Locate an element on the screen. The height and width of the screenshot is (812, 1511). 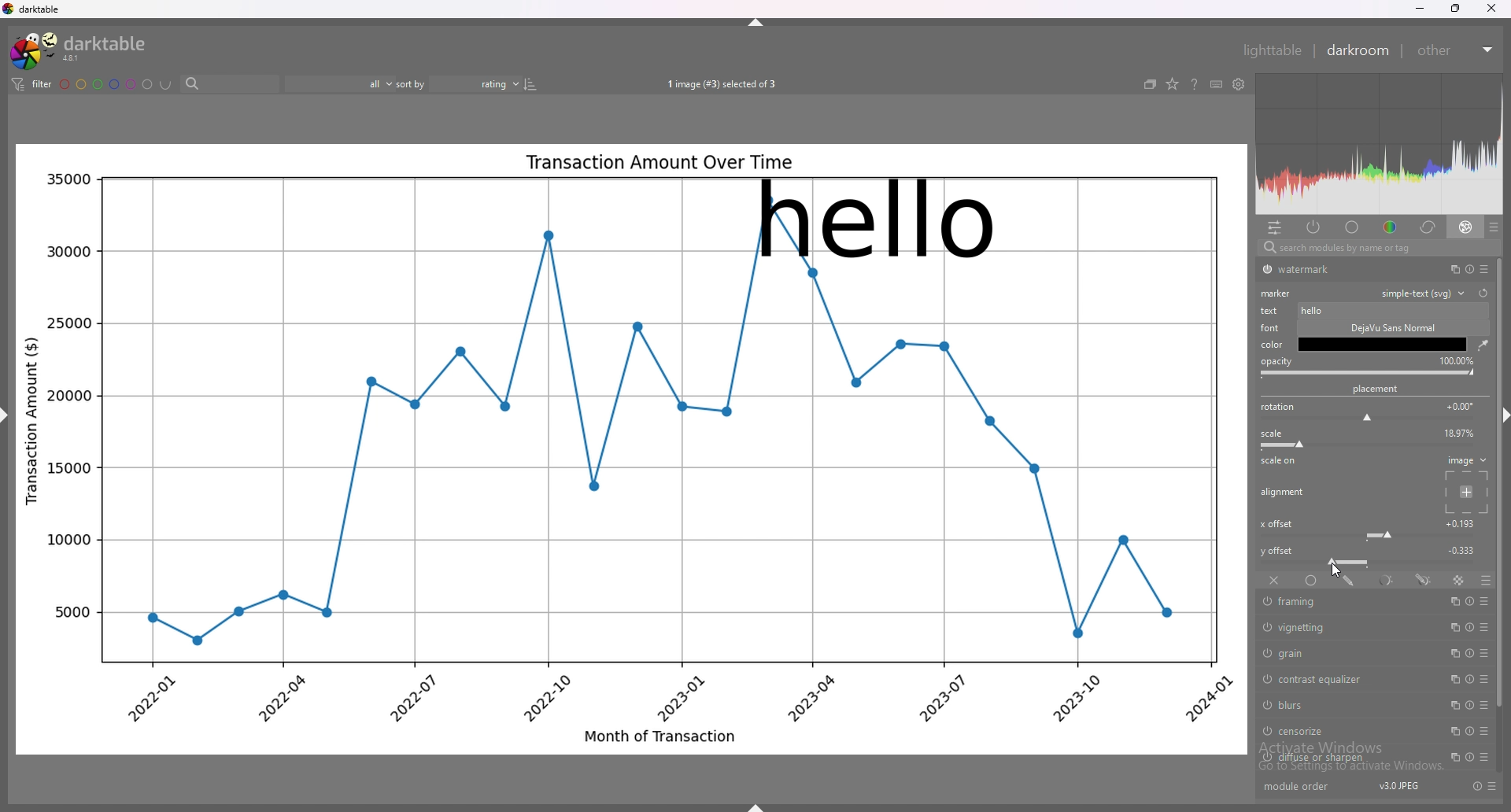
active modules is located at coordinates (1315, 228).